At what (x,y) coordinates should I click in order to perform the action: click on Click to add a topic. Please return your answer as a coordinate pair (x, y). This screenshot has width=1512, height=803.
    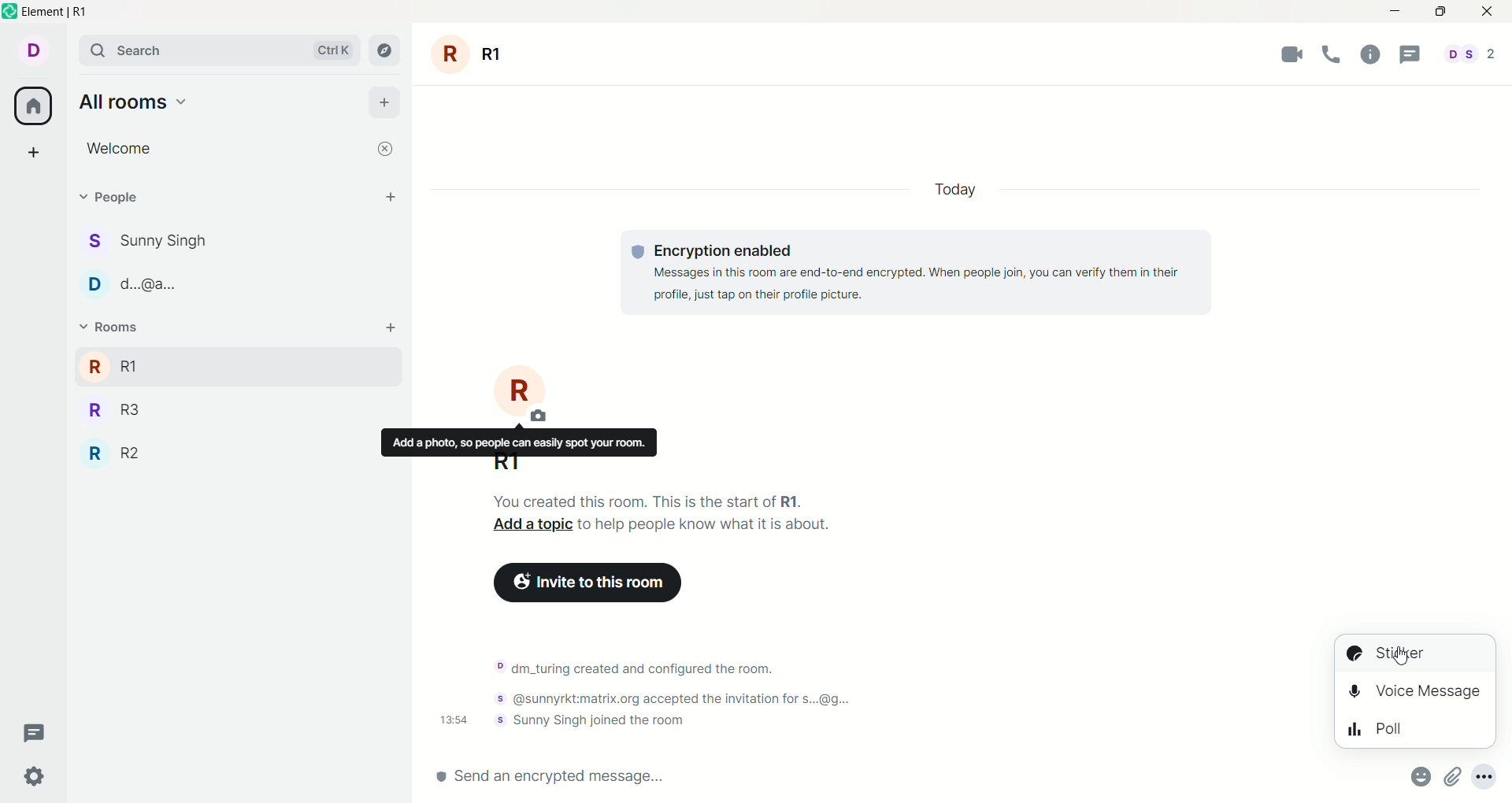
    Looking at the image, I should click on (532, 524).